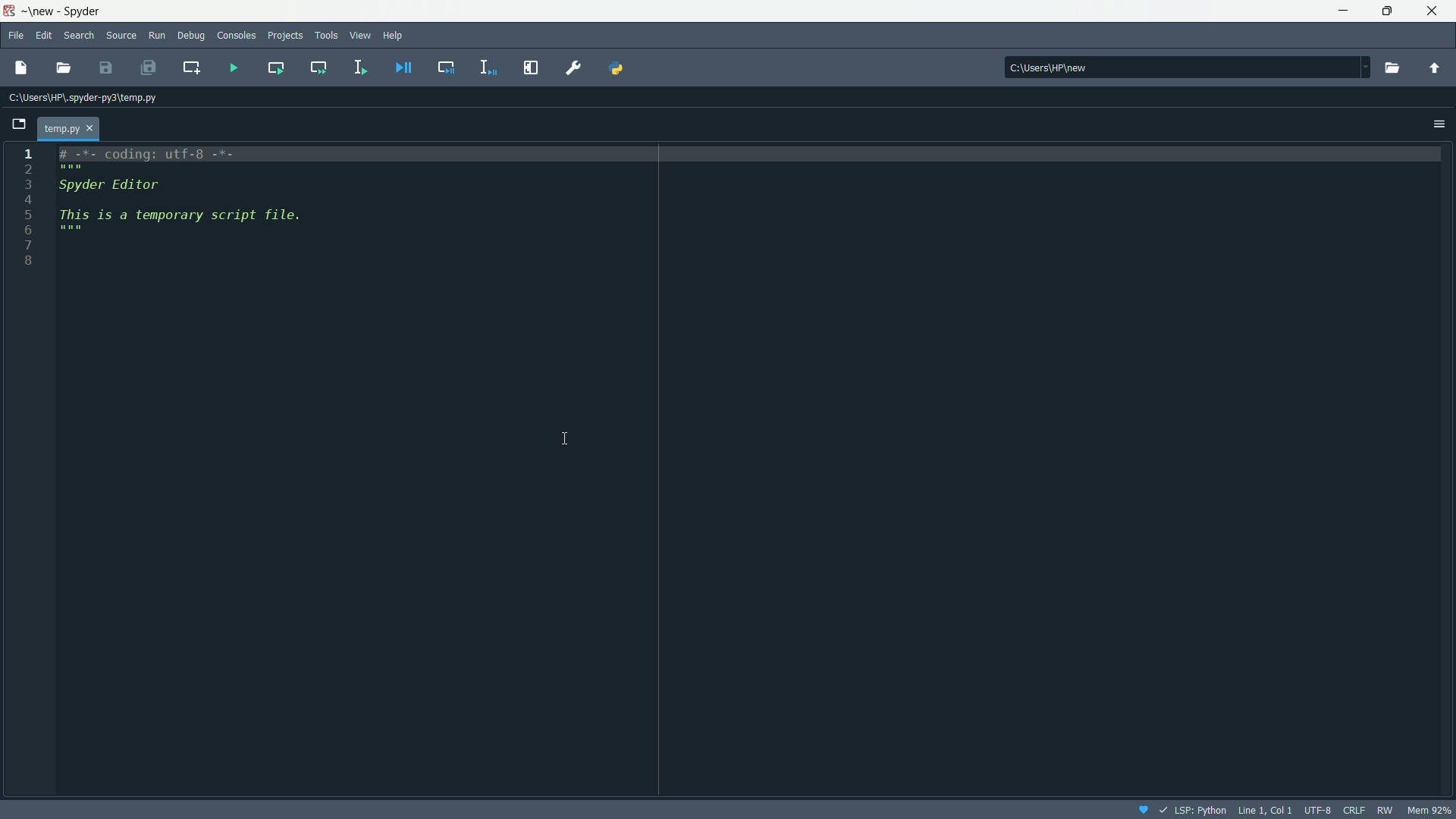 Image resolution: width=1456 pixels, height=819 pixels. I want to click on app icon, so click(8, 11).